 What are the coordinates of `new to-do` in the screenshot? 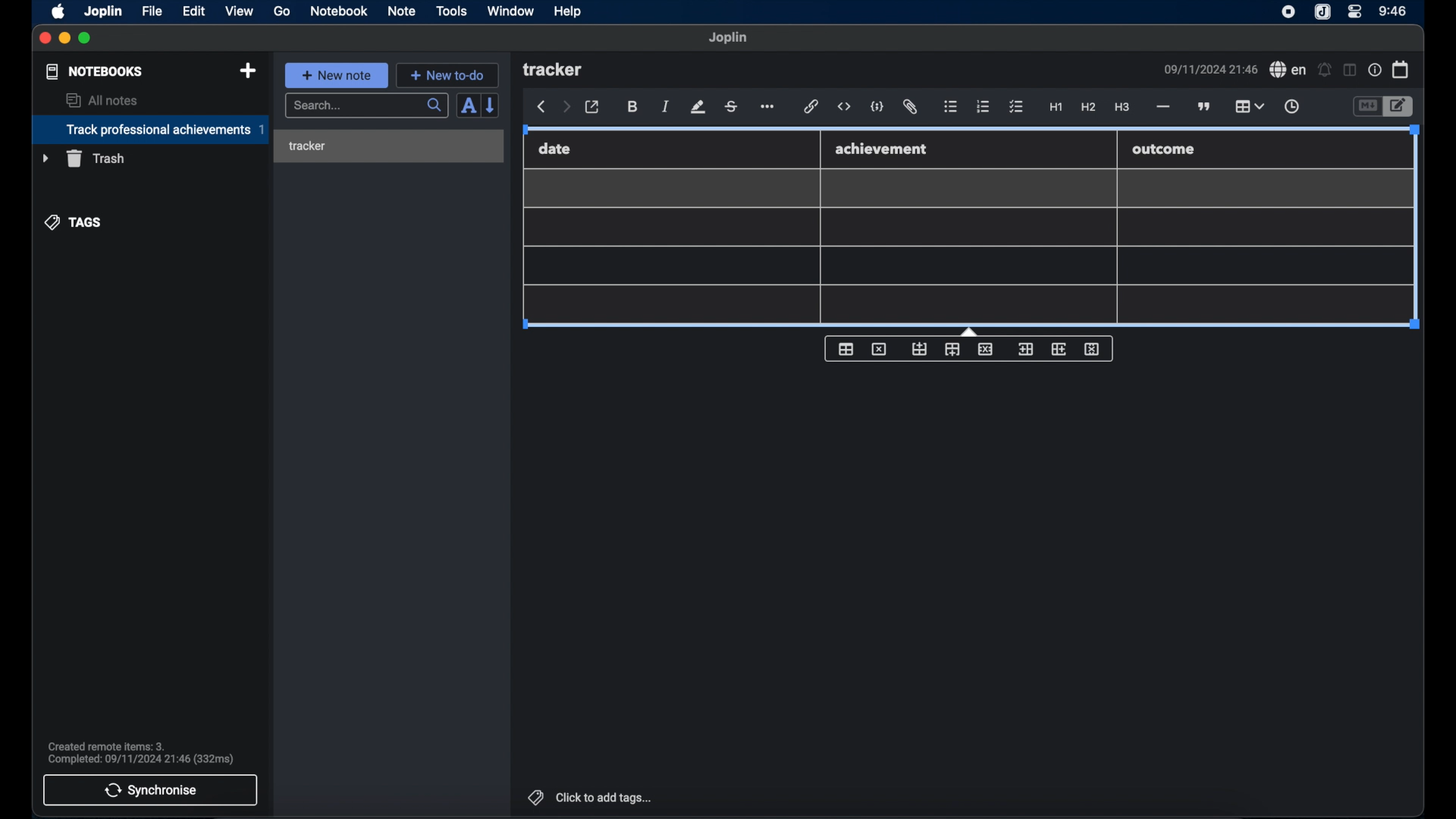 It's located at (447, 75).